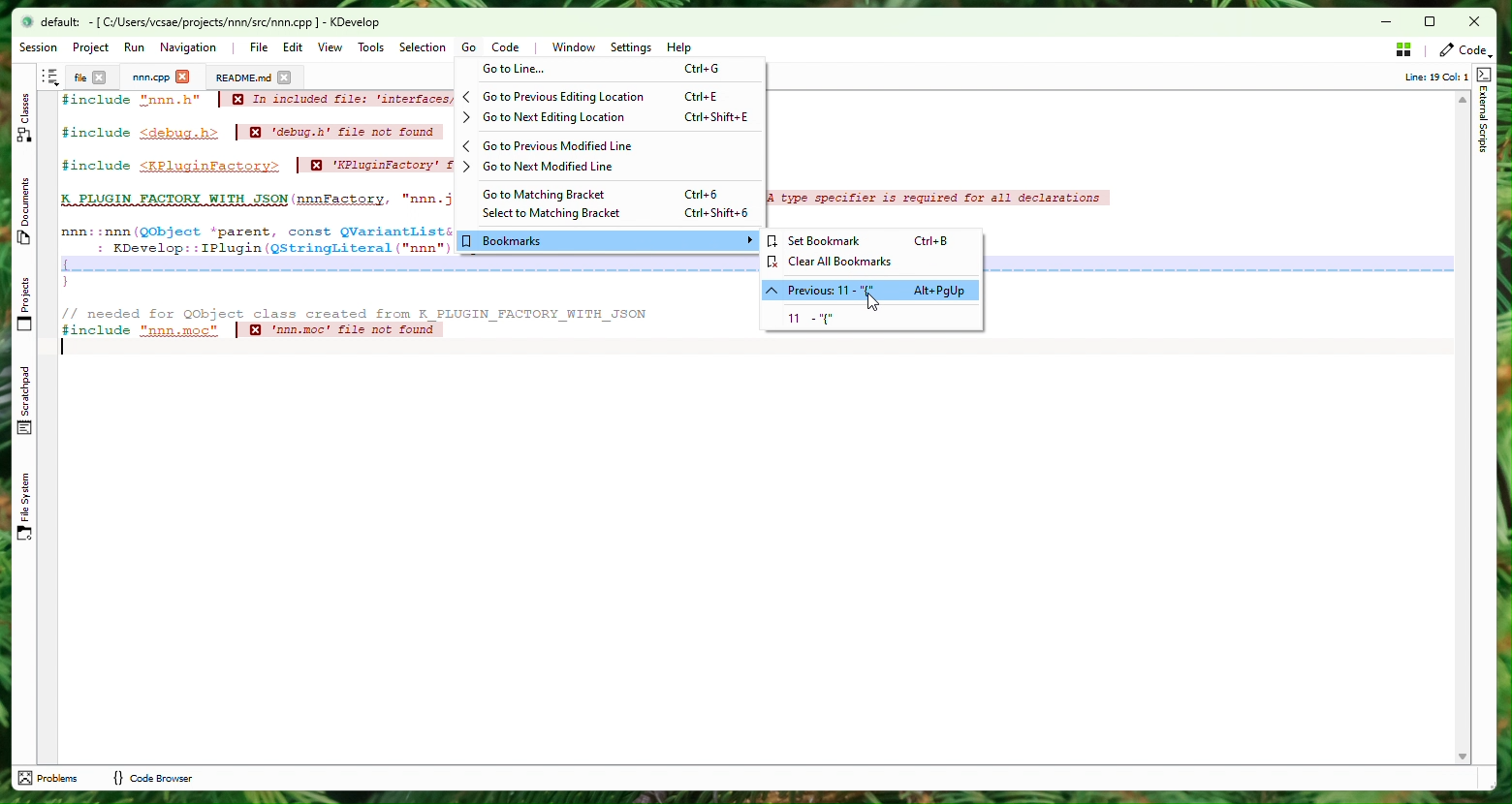 The width and height of the screenshot is (1512, 804). Describe the element at coordinates (573, 47) in the screenshot. I see `Window` at that location.